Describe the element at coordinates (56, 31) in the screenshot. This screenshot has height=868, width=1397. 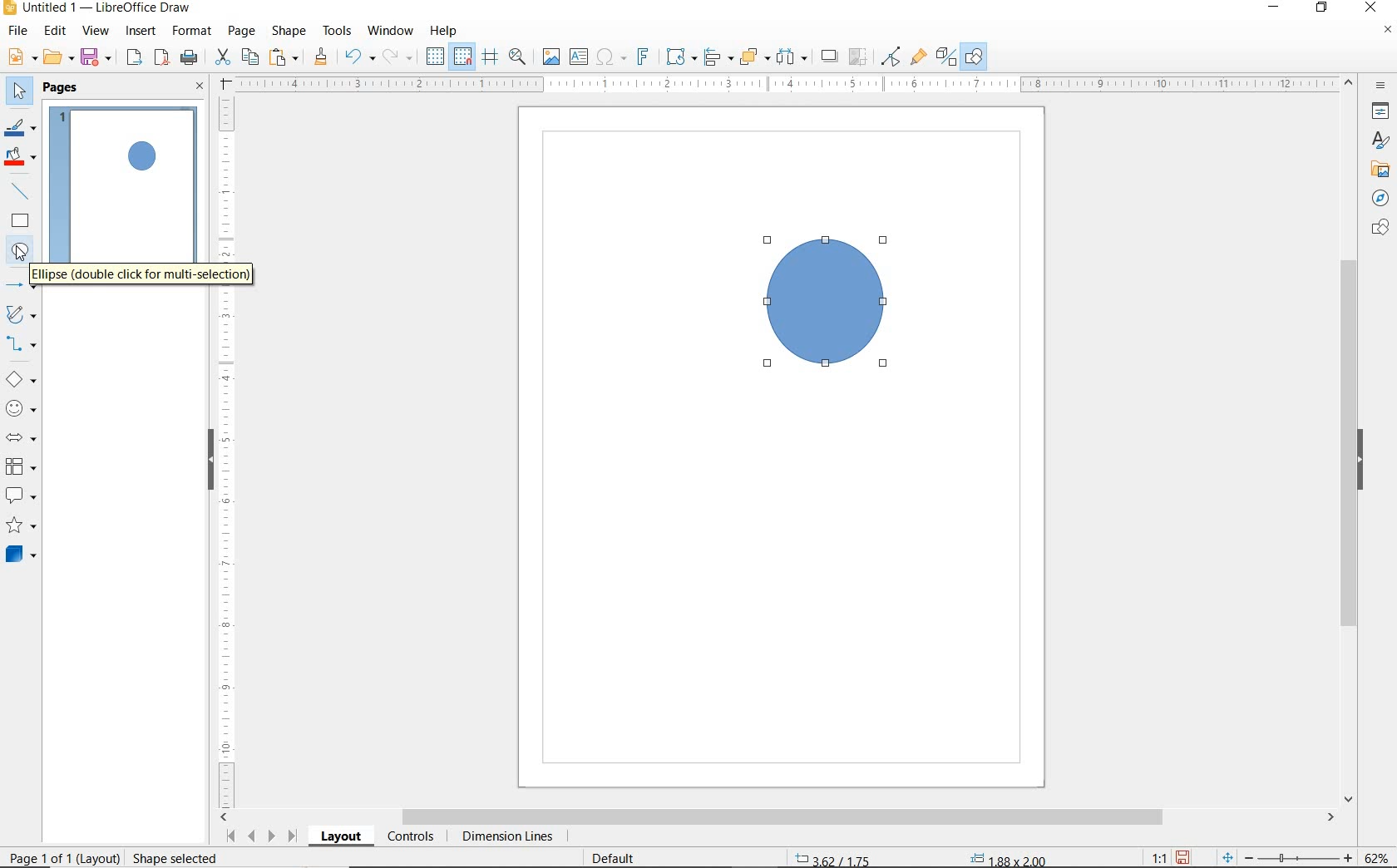
I see `EDIT` at that location.